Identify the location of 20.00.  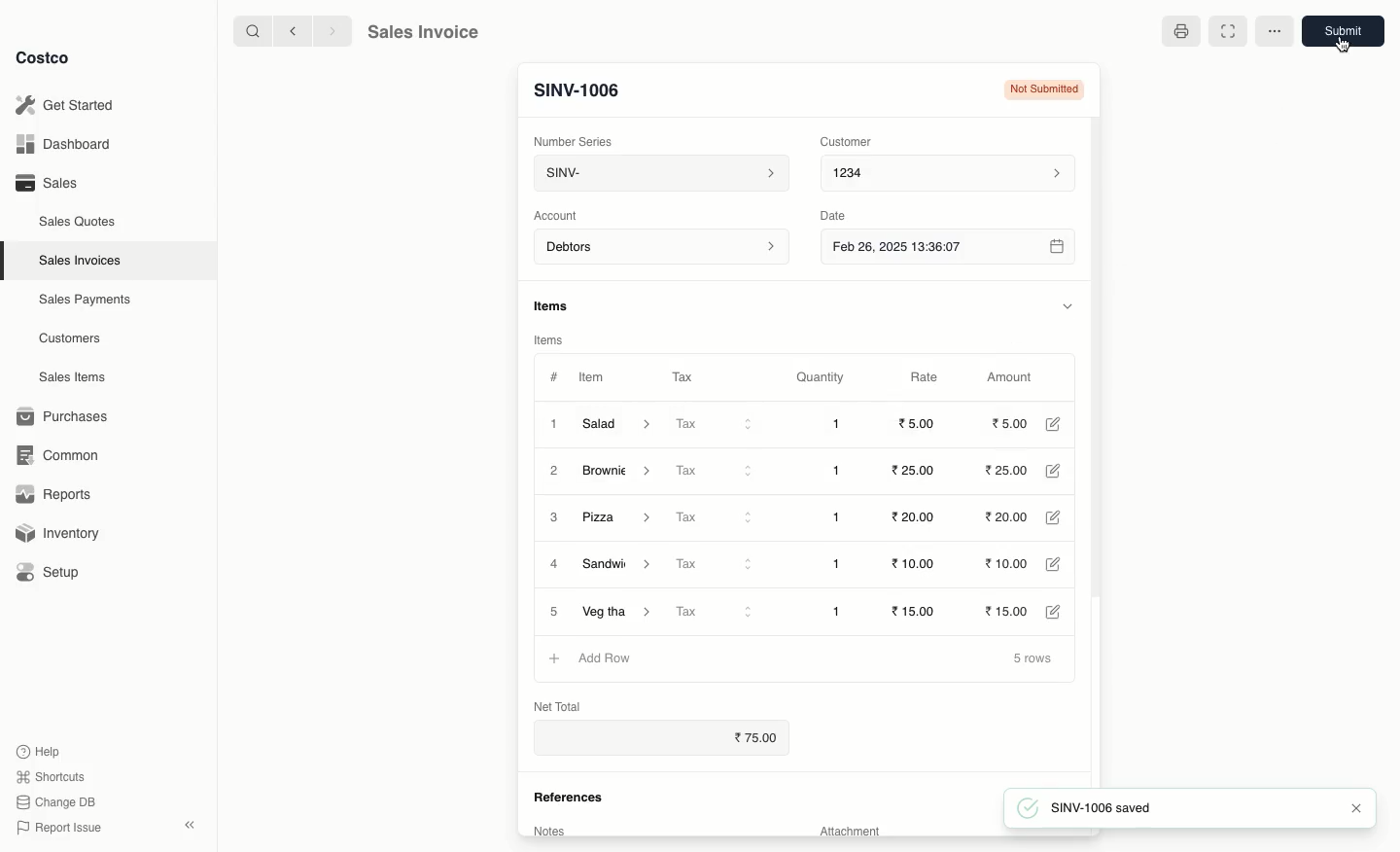
(1005, 518).